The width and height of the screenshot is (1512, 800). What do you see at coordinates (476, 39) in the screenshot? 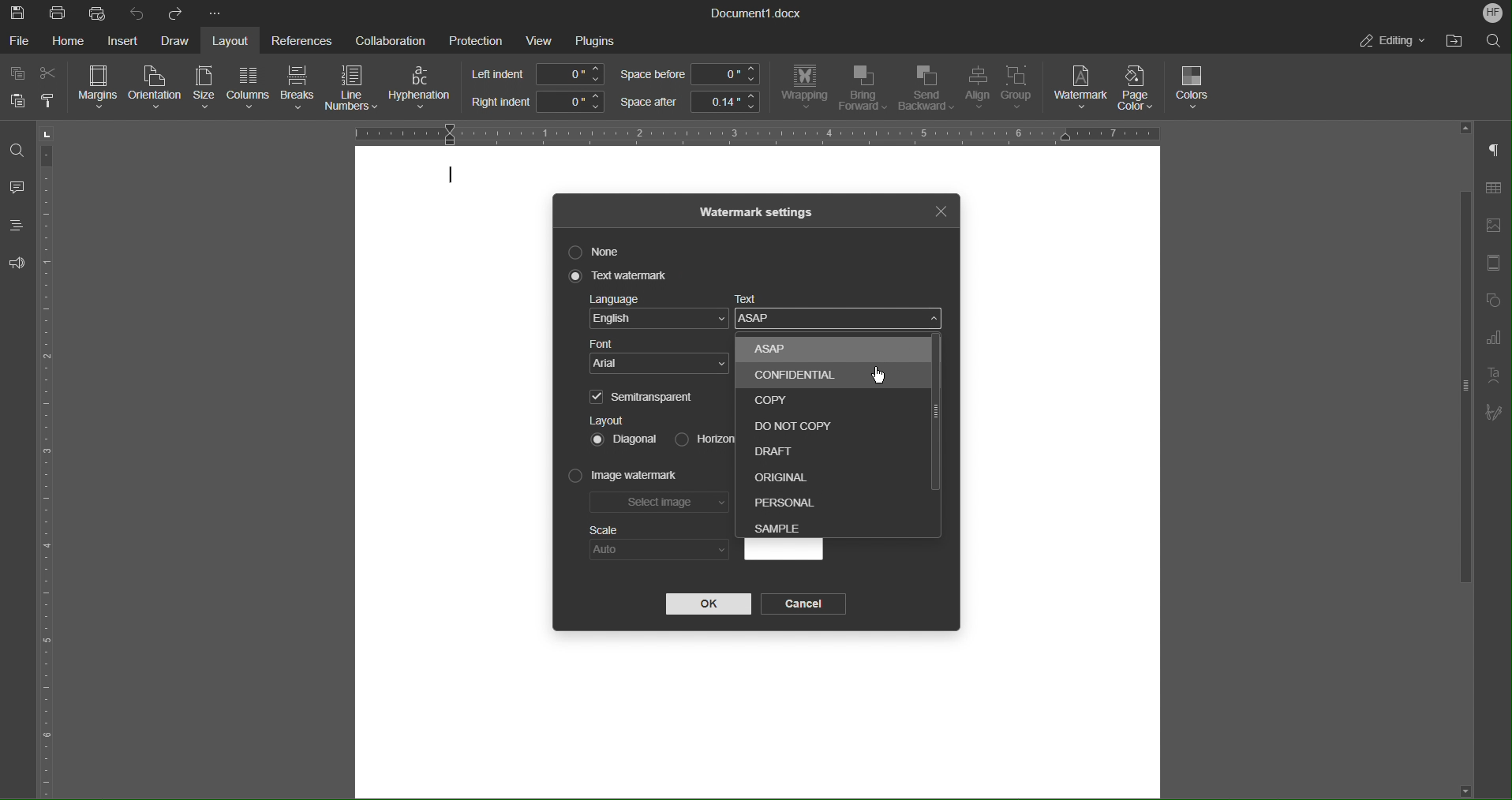
I see `Protection` at bounding box center [476, 39].